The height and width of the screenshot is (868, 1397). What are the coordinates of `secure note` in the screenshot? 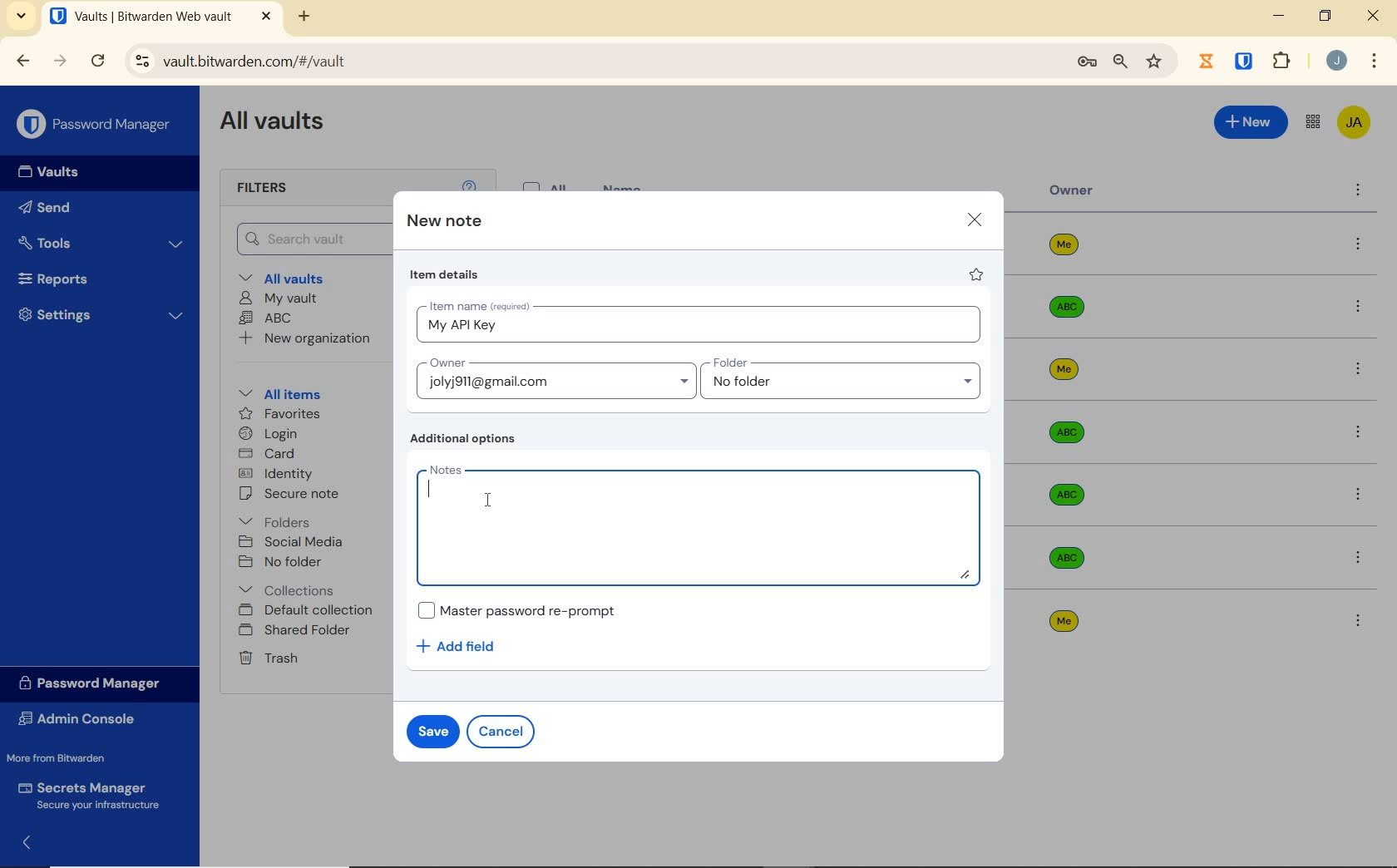 It's located at (304, 496).